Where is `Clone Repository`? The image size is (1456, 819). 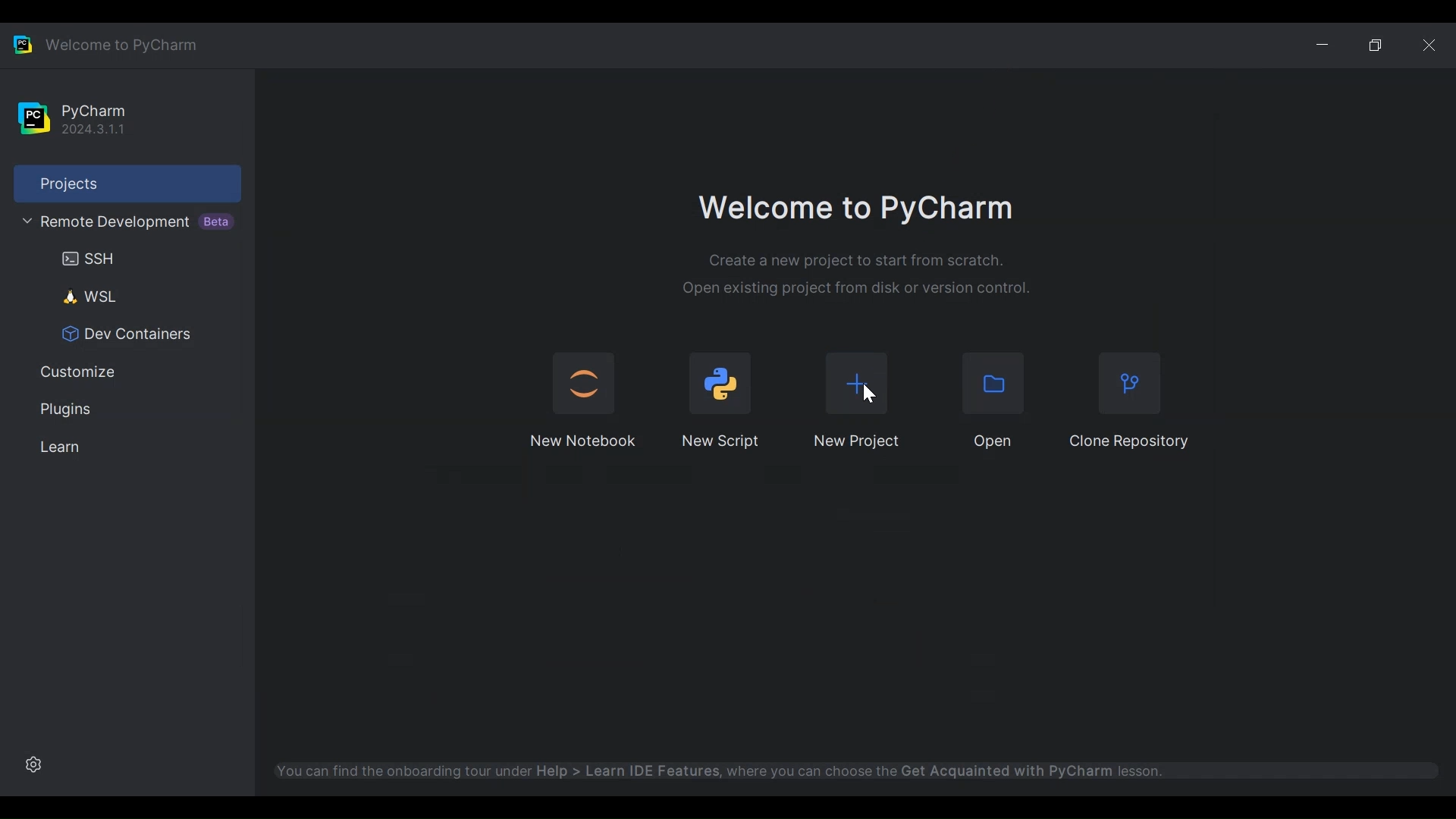
Clone Repository is located at coordinates (1129, 441).